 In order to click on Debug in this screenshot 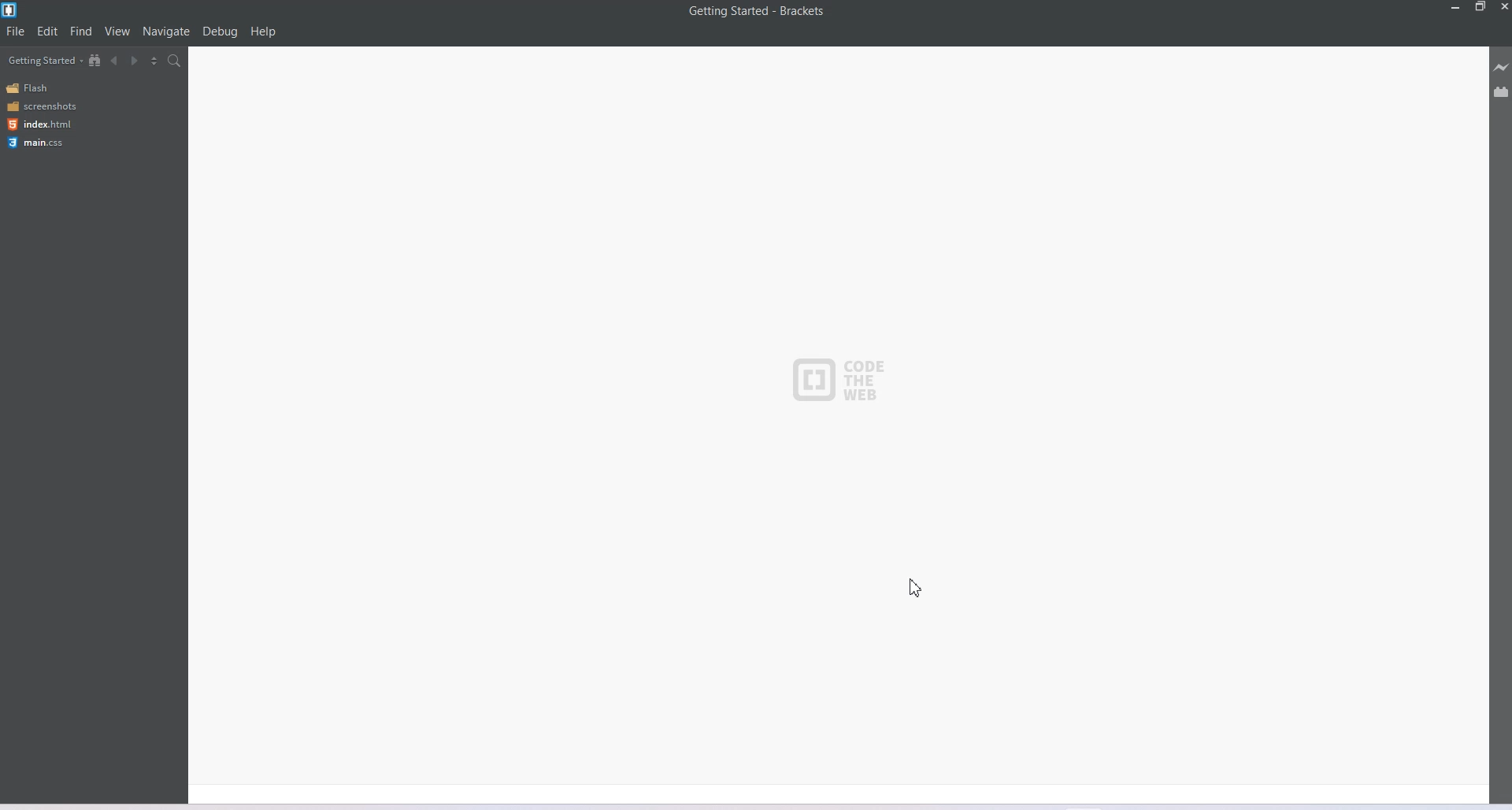, I will do `click(220, 32)`.